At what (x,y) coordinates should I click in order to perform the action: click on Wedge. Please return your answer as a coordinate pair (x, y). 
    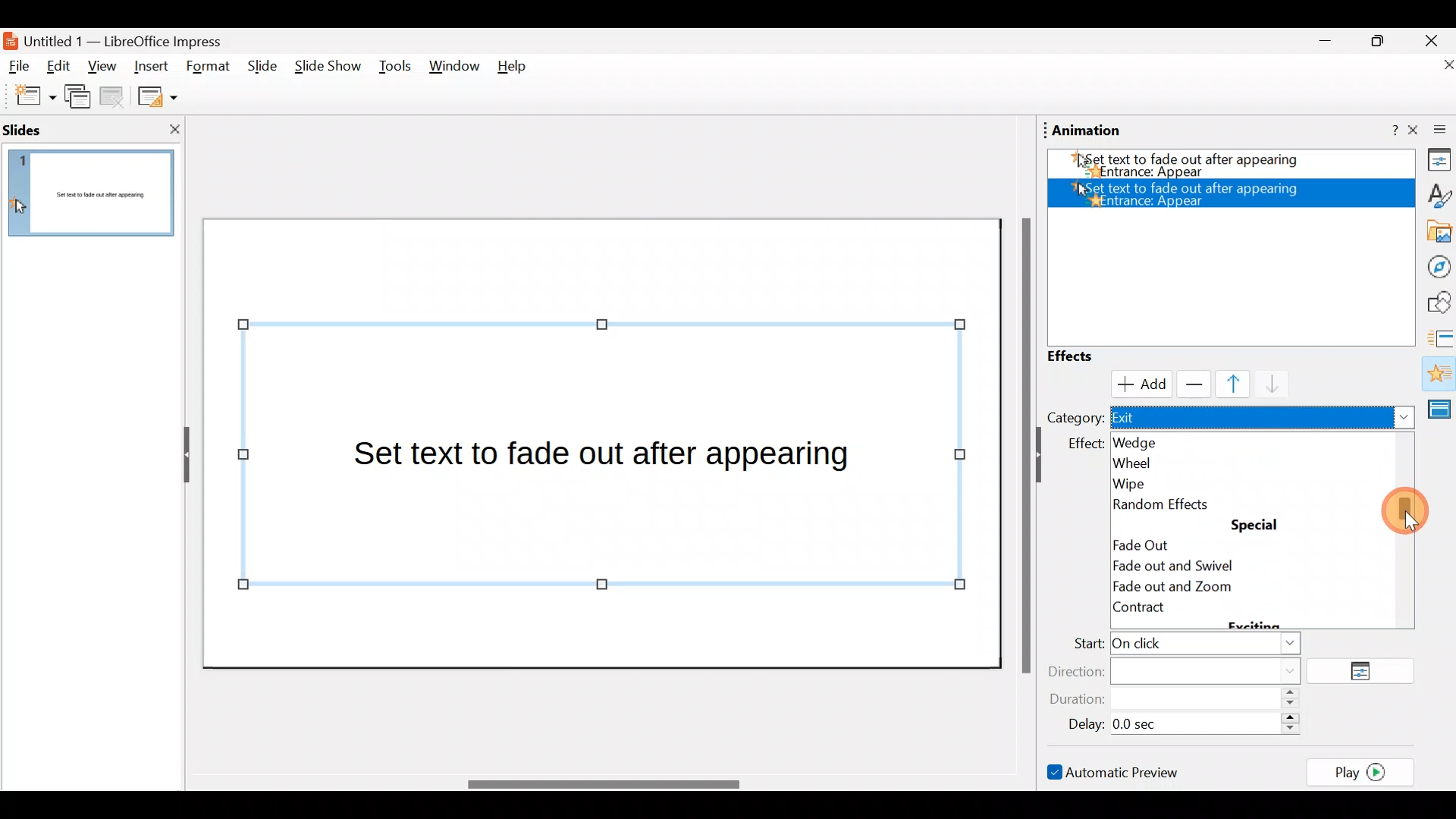
    Looking at the image, I should click on (1153, 441).